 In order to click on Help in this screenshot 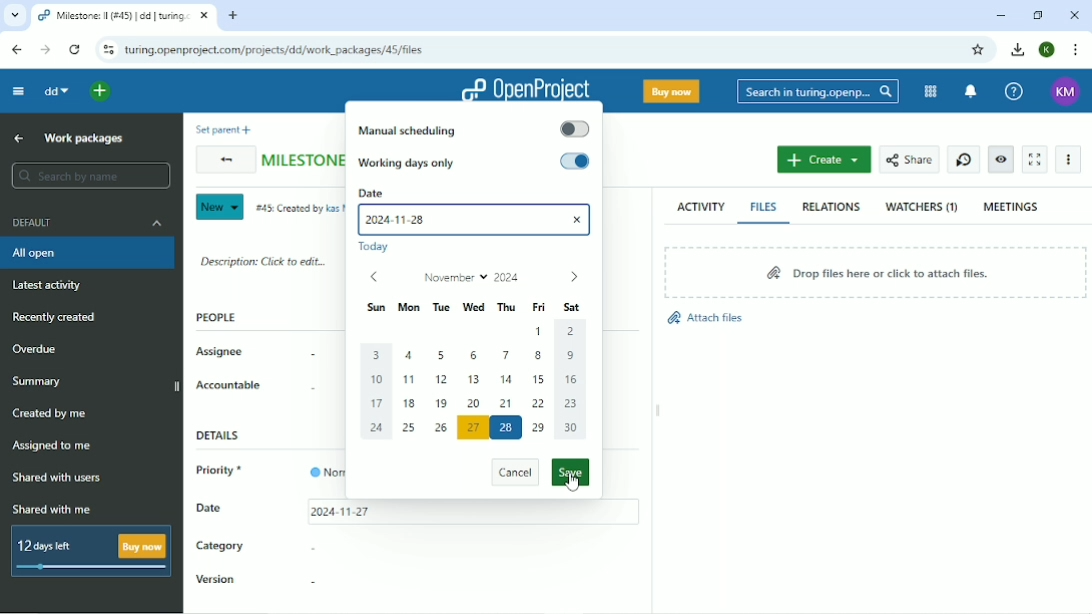, I will do `click(1013, 92)`.